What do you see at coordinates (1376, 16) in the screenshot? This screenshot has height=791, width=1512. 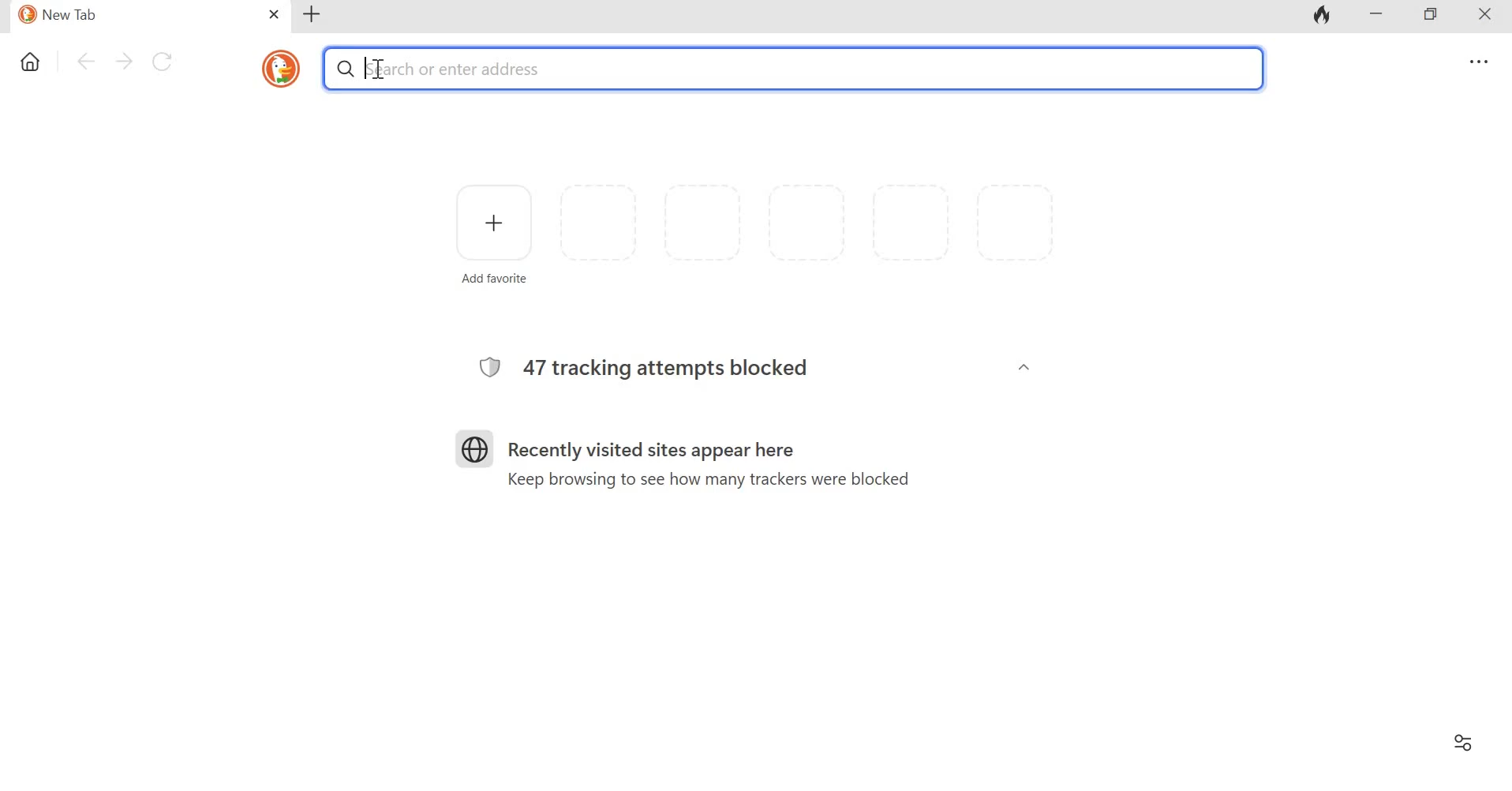 I see `Minimize` at bounding box center [1376, 16].